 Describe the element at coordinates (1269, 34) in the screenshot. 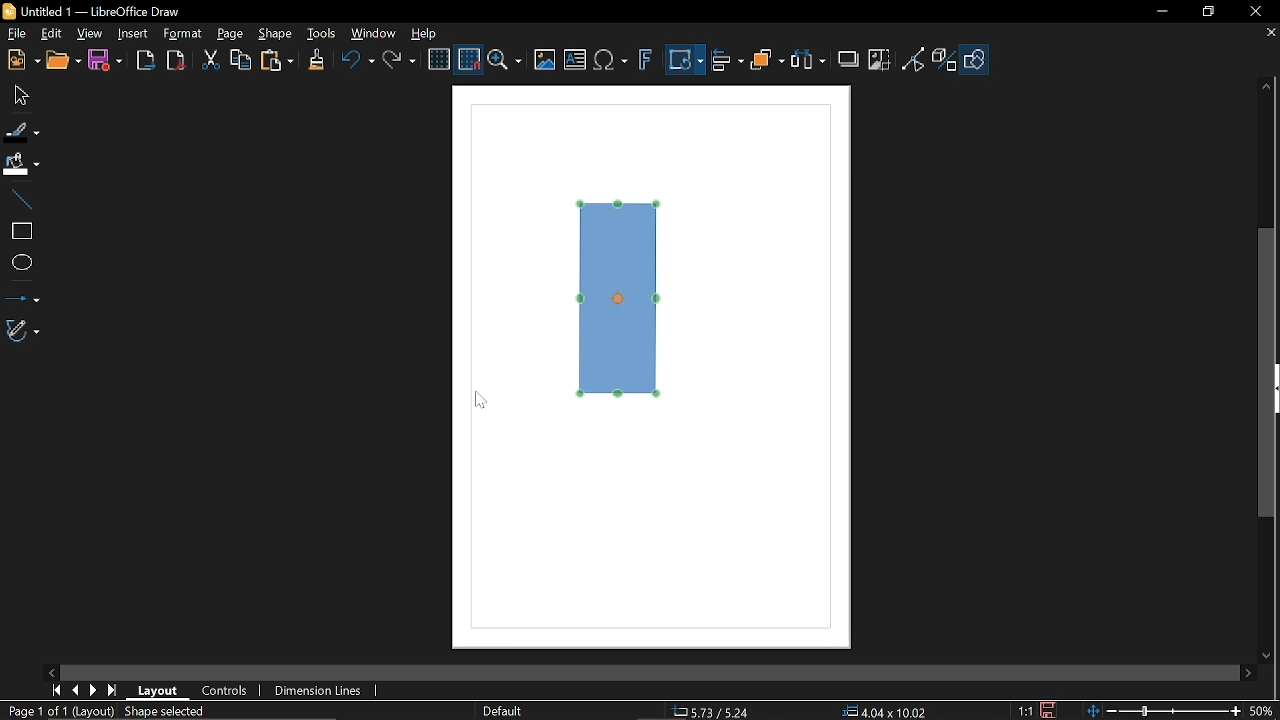

I see `Close tab` at that location.